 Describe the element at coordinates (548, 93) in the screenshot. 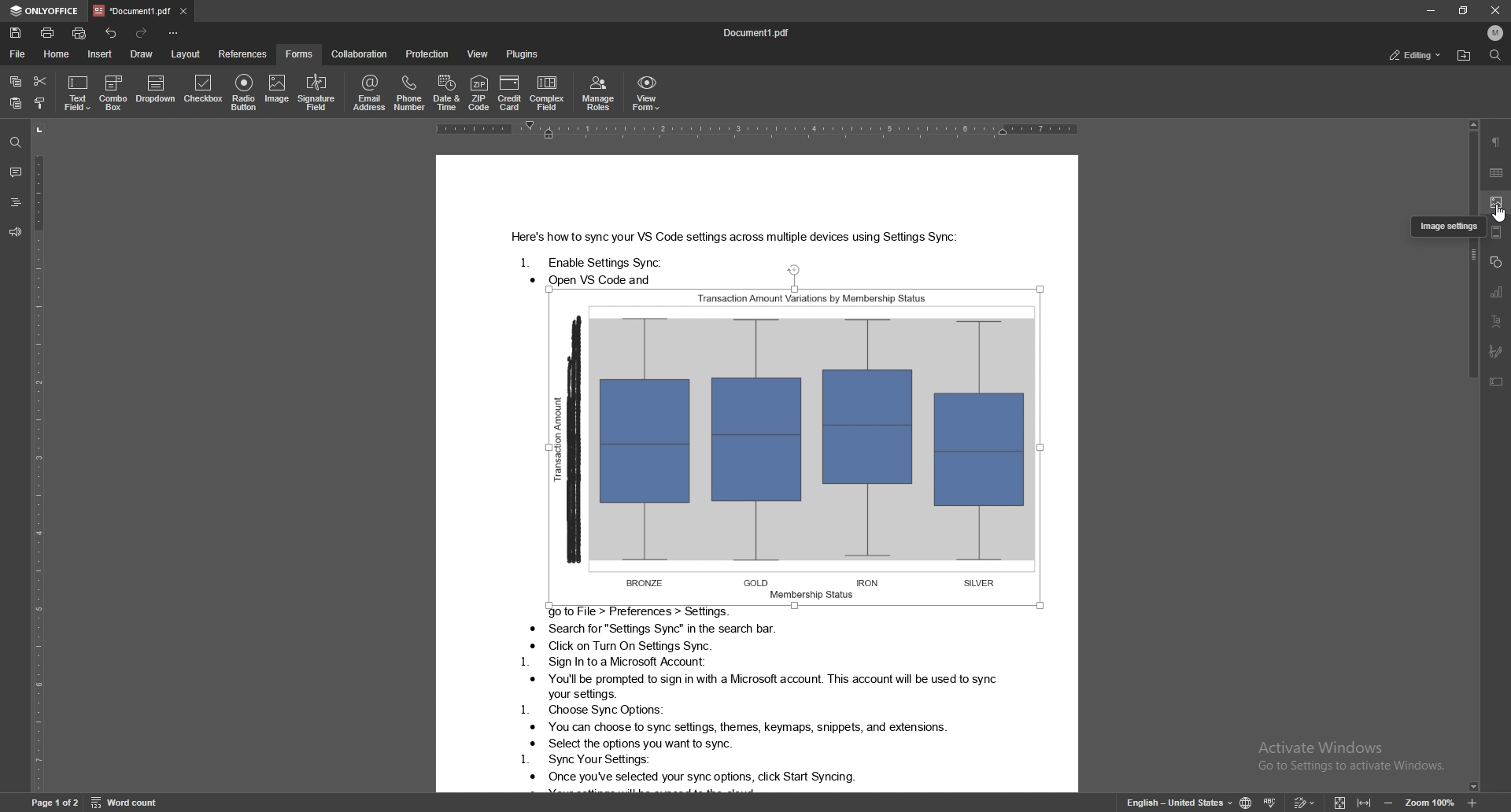

I see `complex field` at that location.